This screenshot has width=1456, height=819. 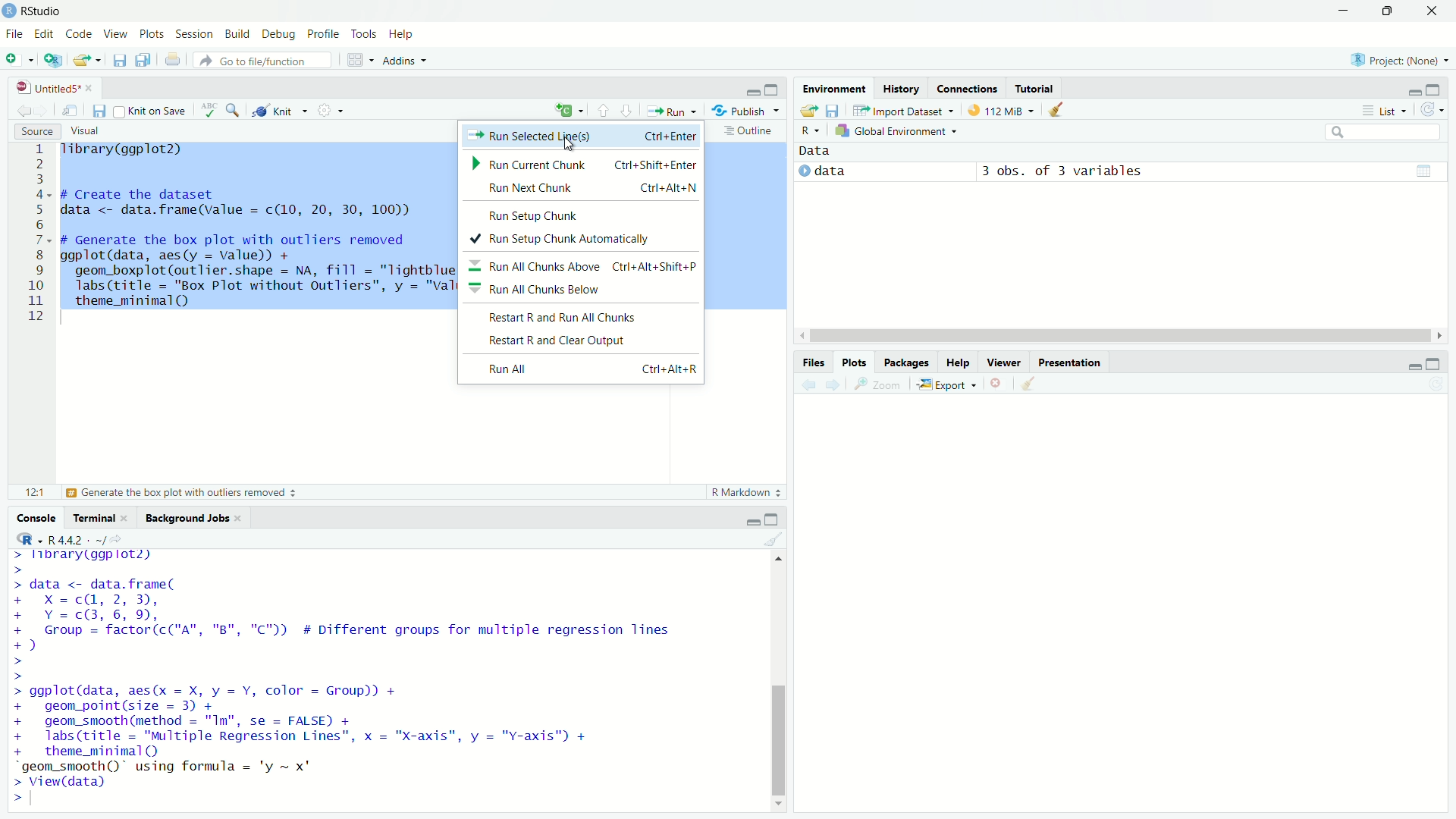 What do you see at coordinates (364, 34) in the screenshot?
I see `Tools` at bounding box center [364, 34].